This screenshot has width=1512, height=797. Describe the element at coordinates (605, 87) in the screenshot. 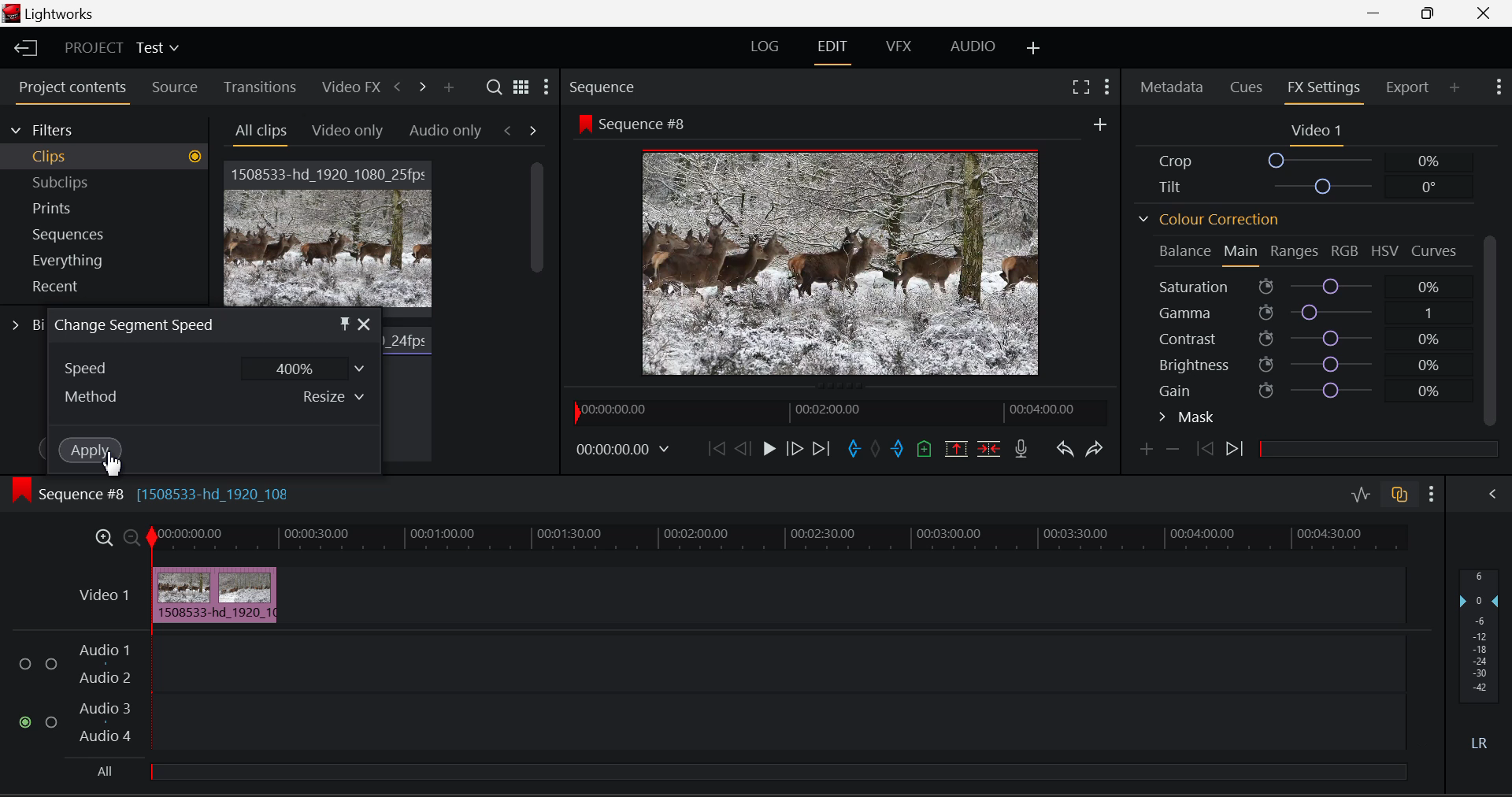

I see `Sequence Preview Section Heading` at that location.